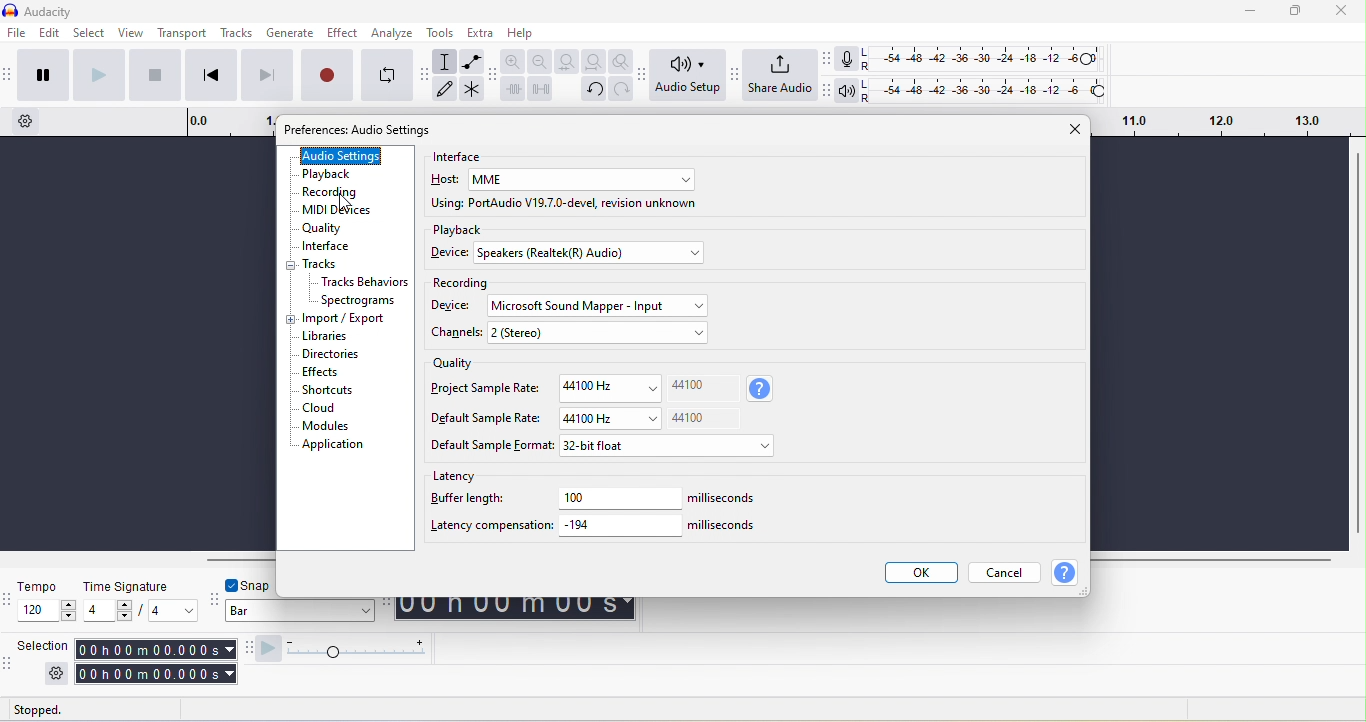  I want to click on help, so click(1063, 572).